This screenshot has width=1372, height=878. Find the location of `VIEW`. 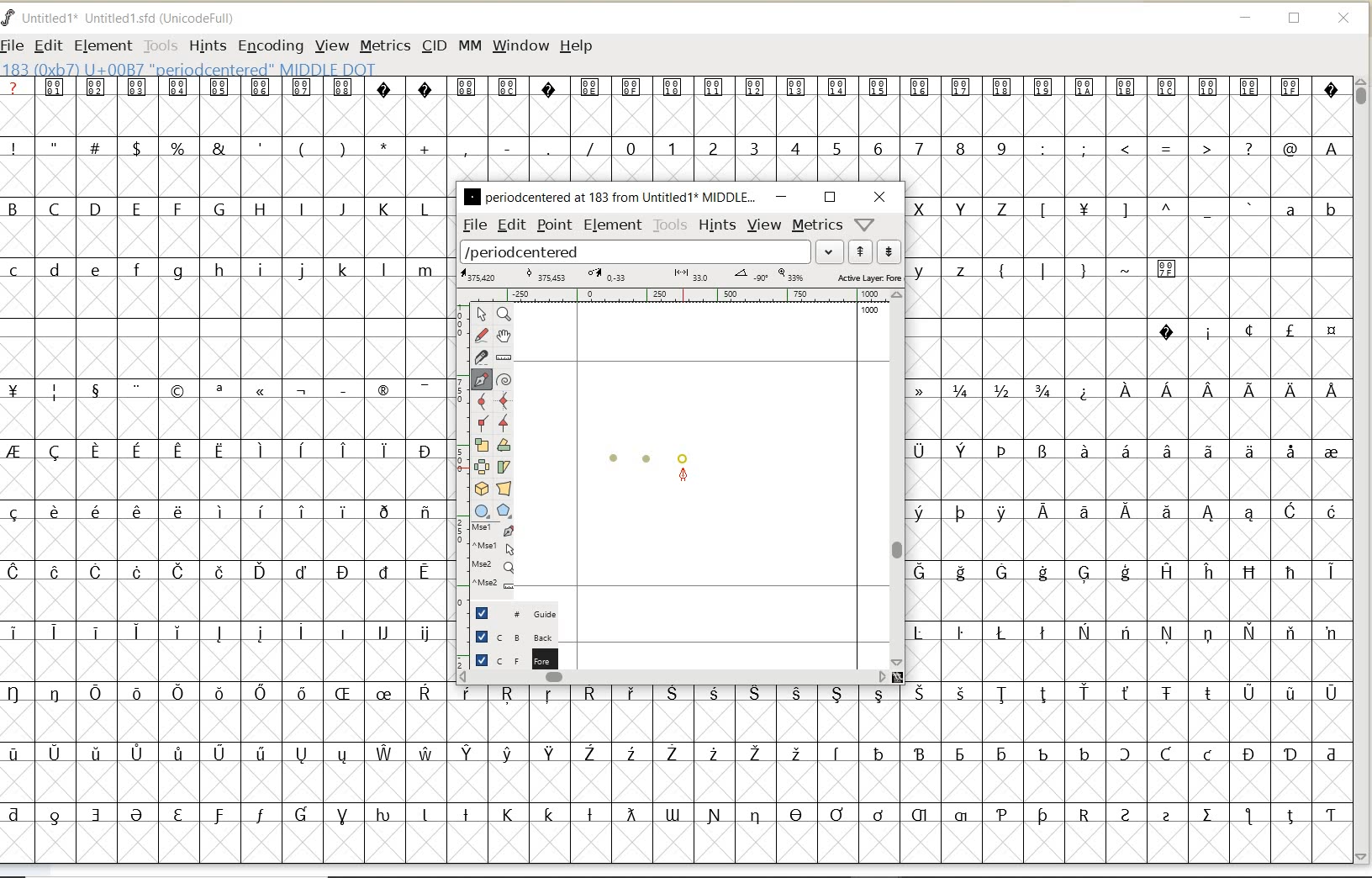

VIEW is located at coordinates (332, 46).